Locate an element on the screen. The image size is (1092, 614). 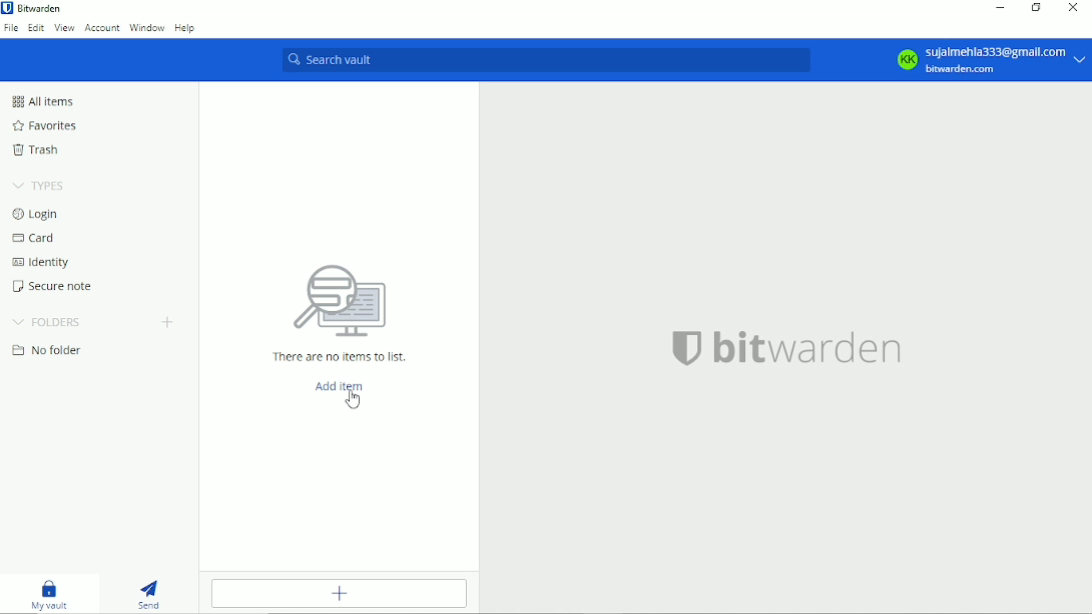
Secure note is located at coordinates (54, 286).